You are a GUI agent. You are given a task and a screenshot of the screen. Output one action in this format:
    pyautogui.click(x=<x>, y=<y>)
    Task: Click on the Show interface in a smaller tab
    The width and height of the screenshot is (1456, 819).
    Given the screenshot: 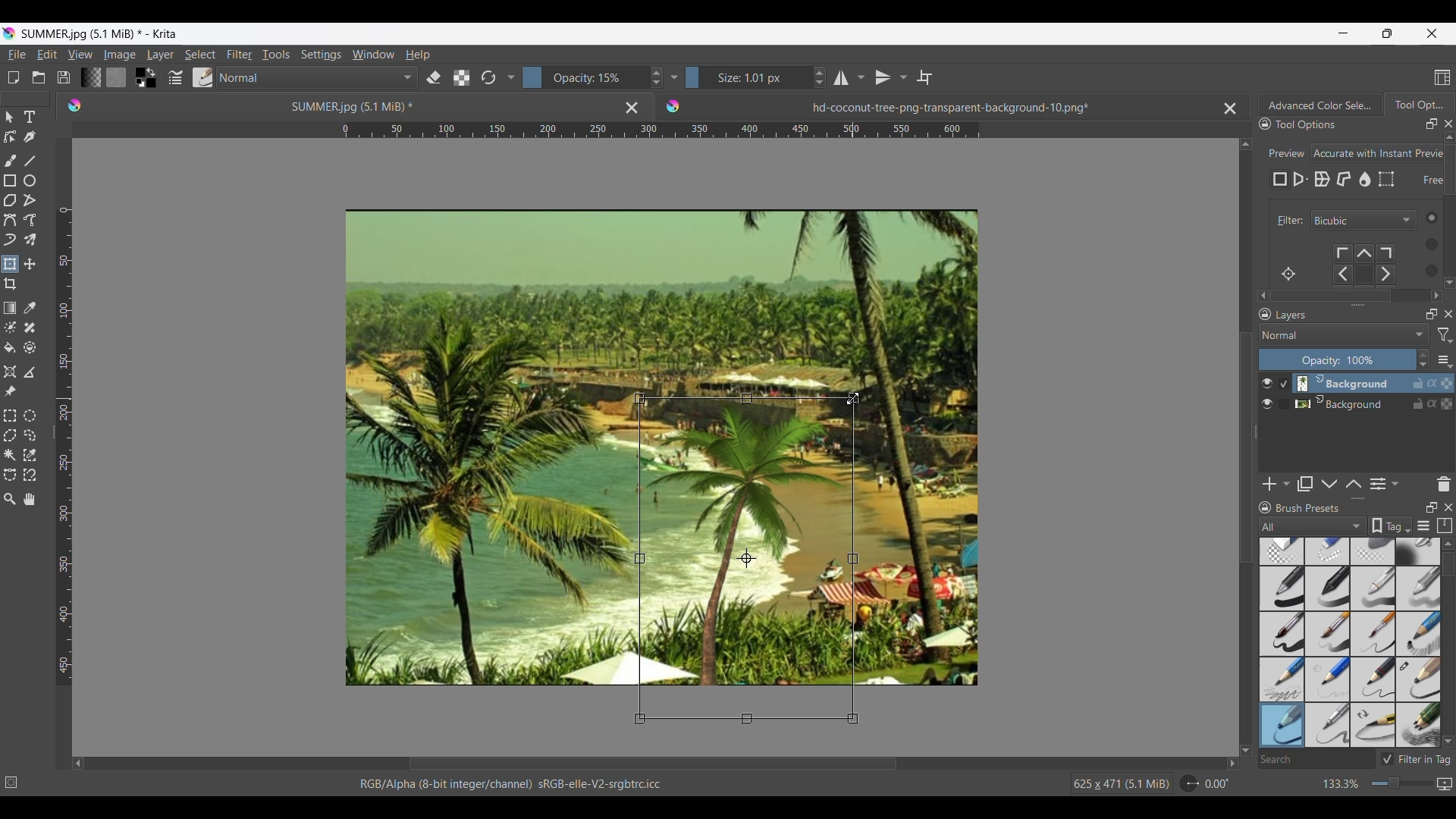 What is the action you would take?
    pyautogui.click(x=1387, y=33)
    